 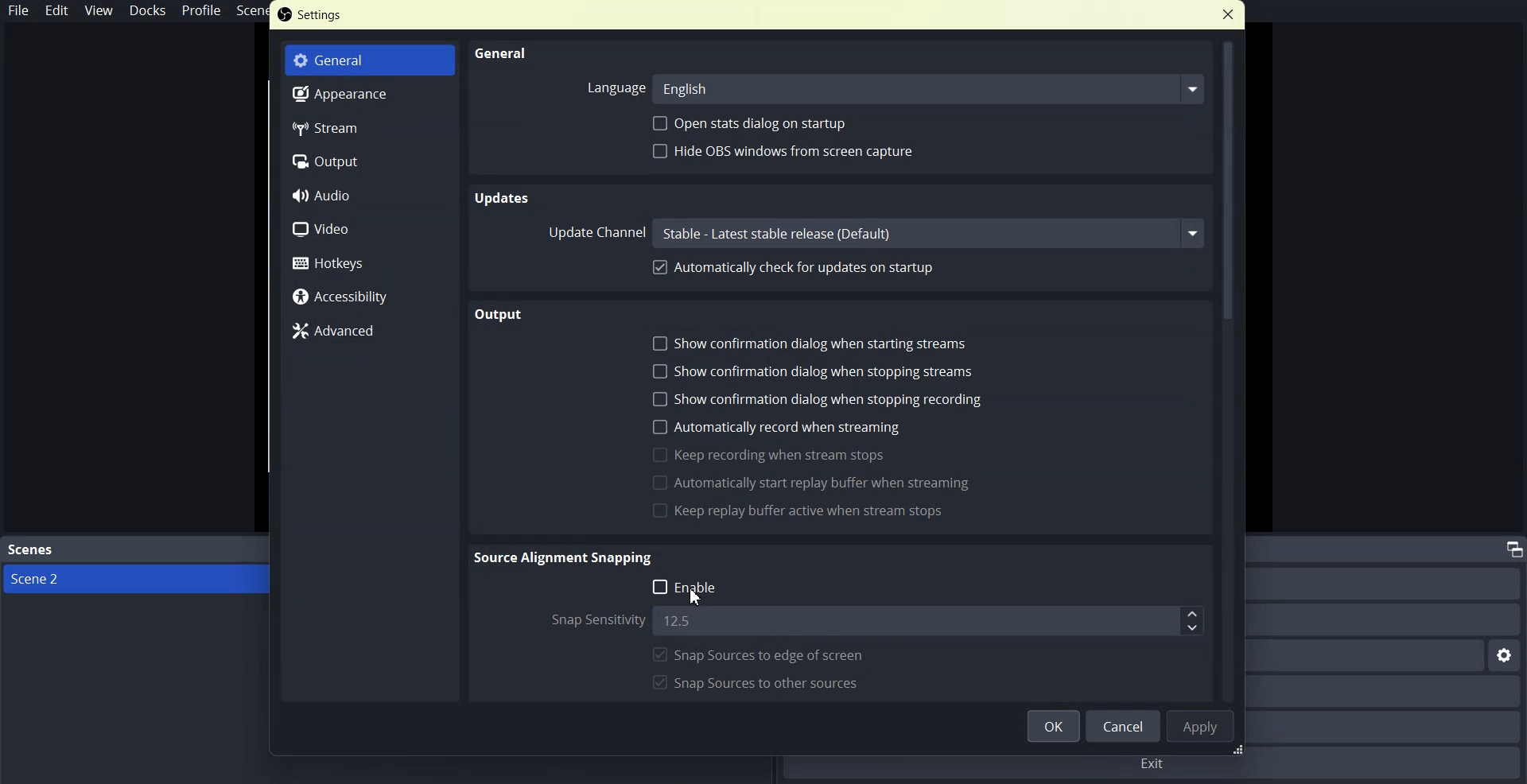 What do you see at coordinates (814, 343) in the screenshot?
I see `Show configuration dialogue when starting stream` at bounding box center [814, 343].